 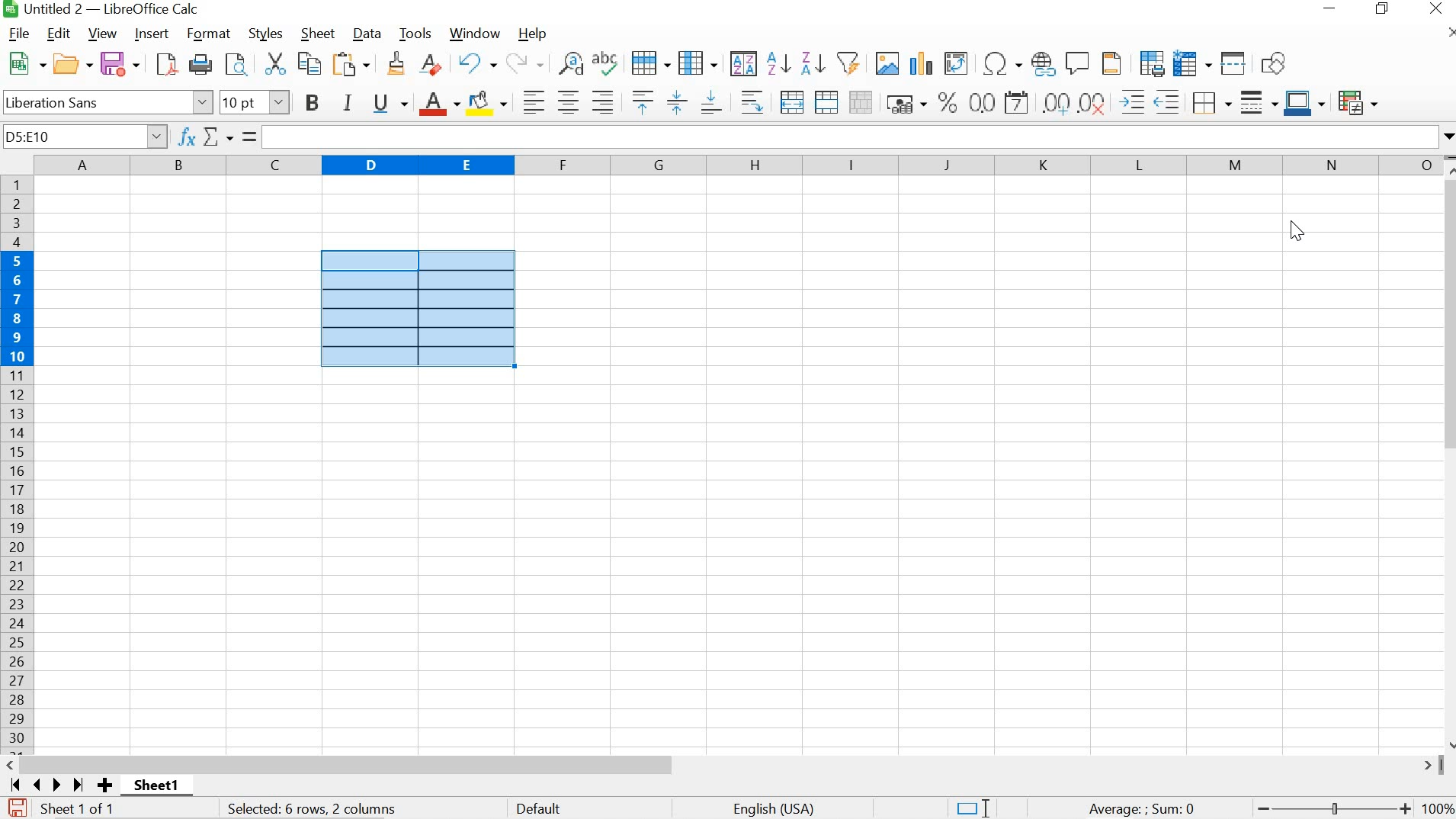 What do you see at coordinates (16, 465) in the screenshot?
I see `rows` at bounding box center [16, 465].